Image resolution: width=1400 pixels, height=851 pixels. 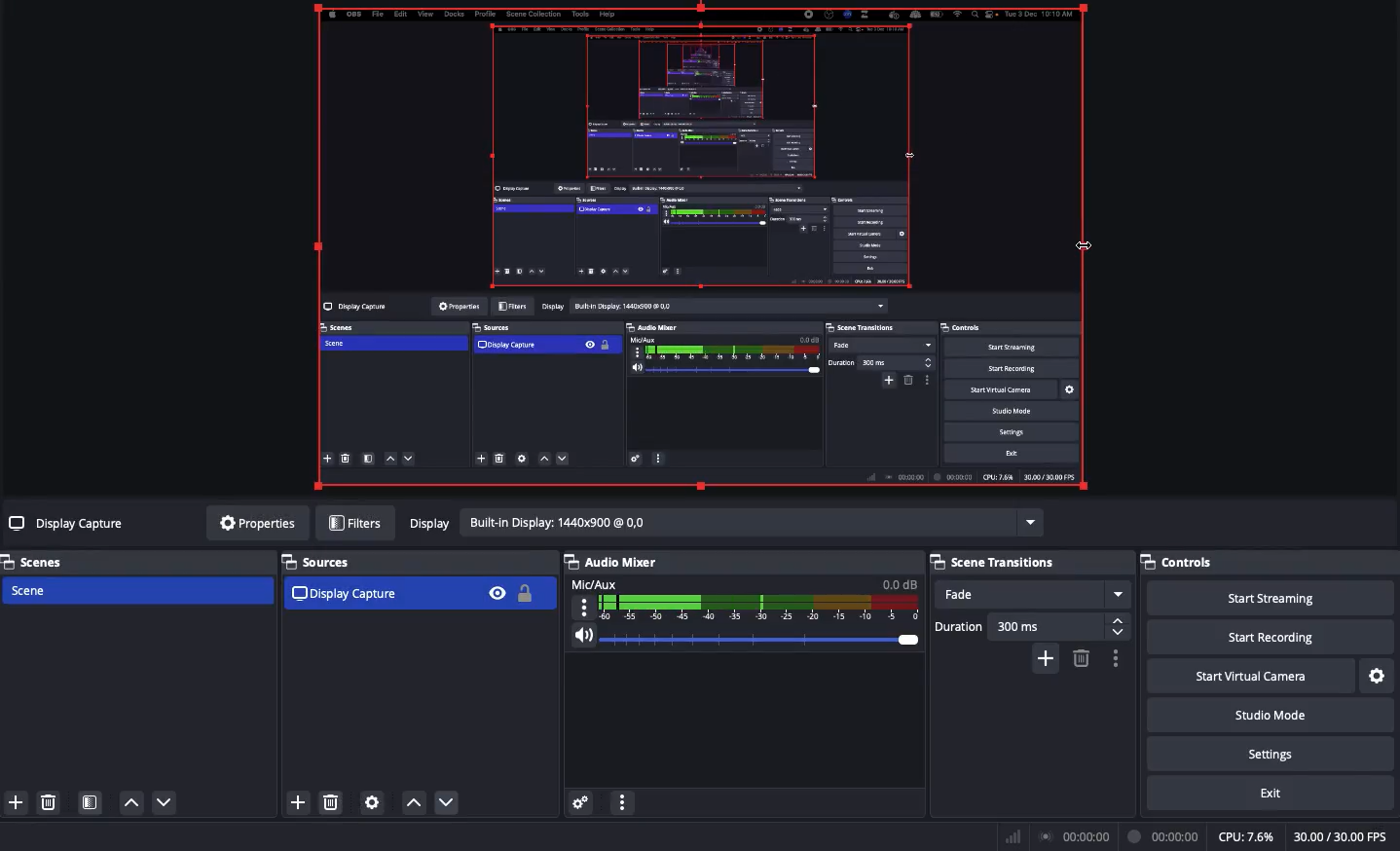 What do you see at coordinates (135, 592) in the screenshot?
I see `Scene` at bounding box center [135, 592].